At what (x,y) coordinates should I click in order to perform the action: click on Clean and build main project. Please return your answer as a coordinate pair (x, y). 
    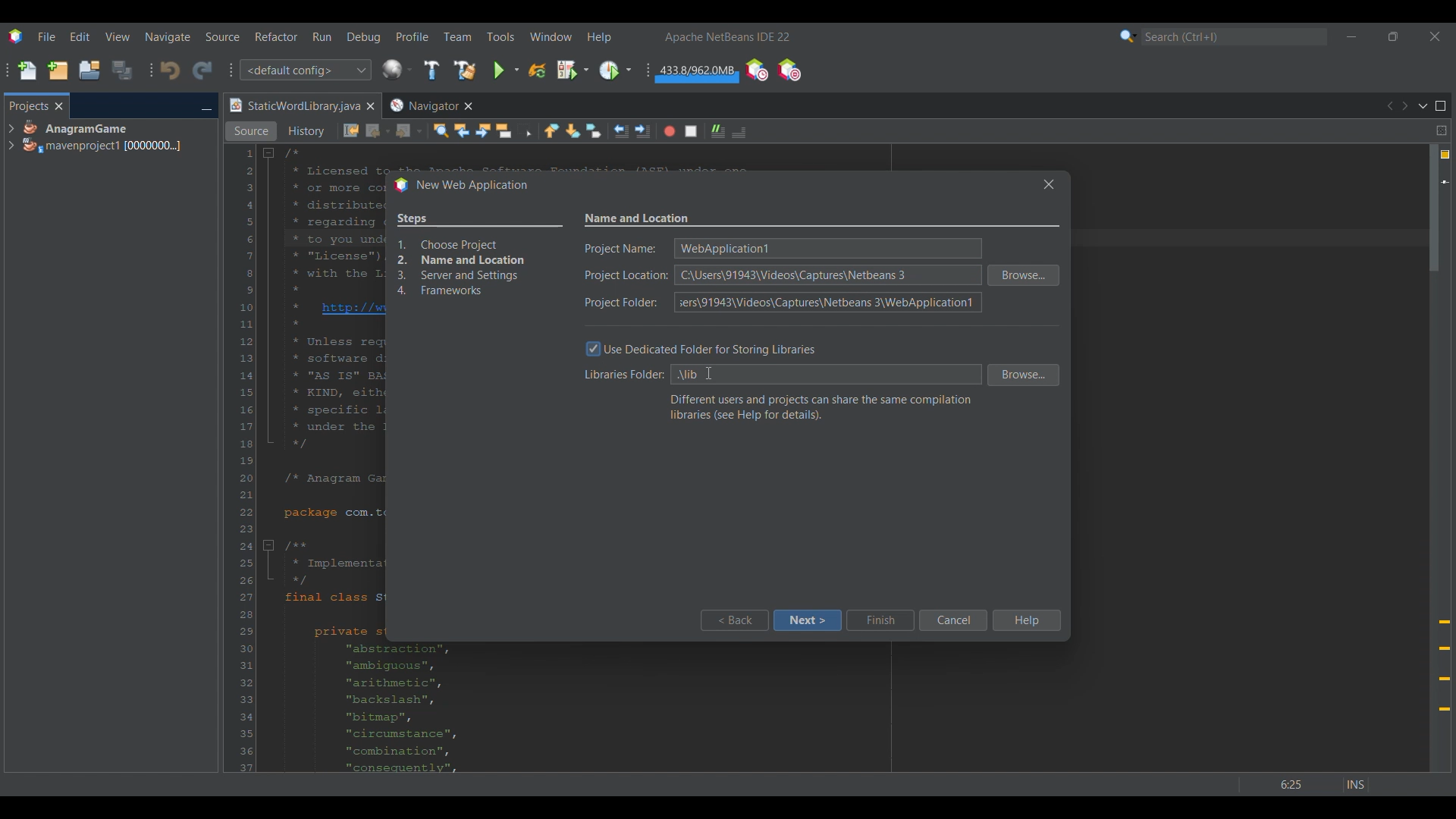
    Looking at the image, I should click on (464, 70).